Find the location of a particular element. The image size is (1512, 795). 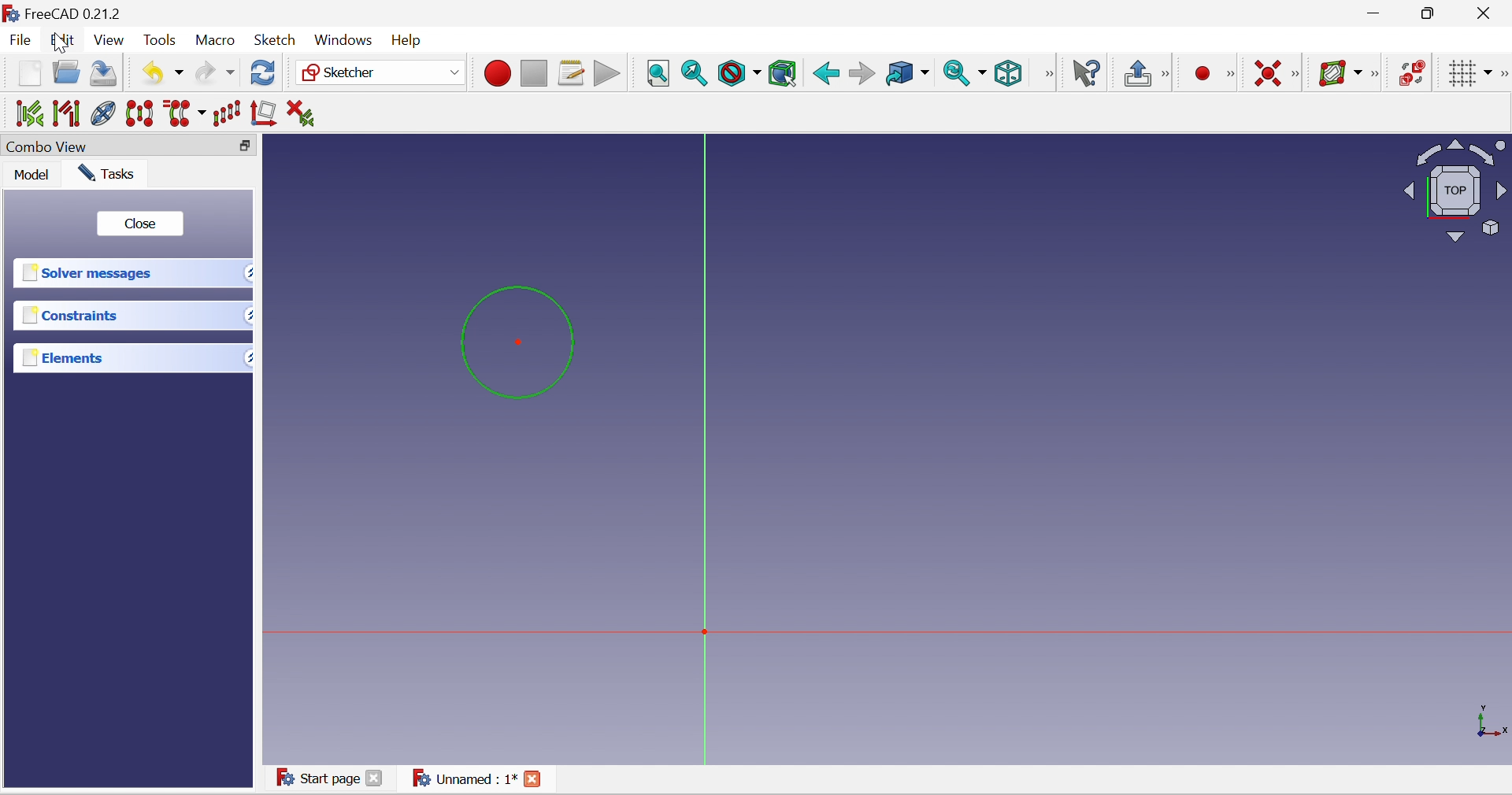

Bounding box is located at coordinates (782, 73).